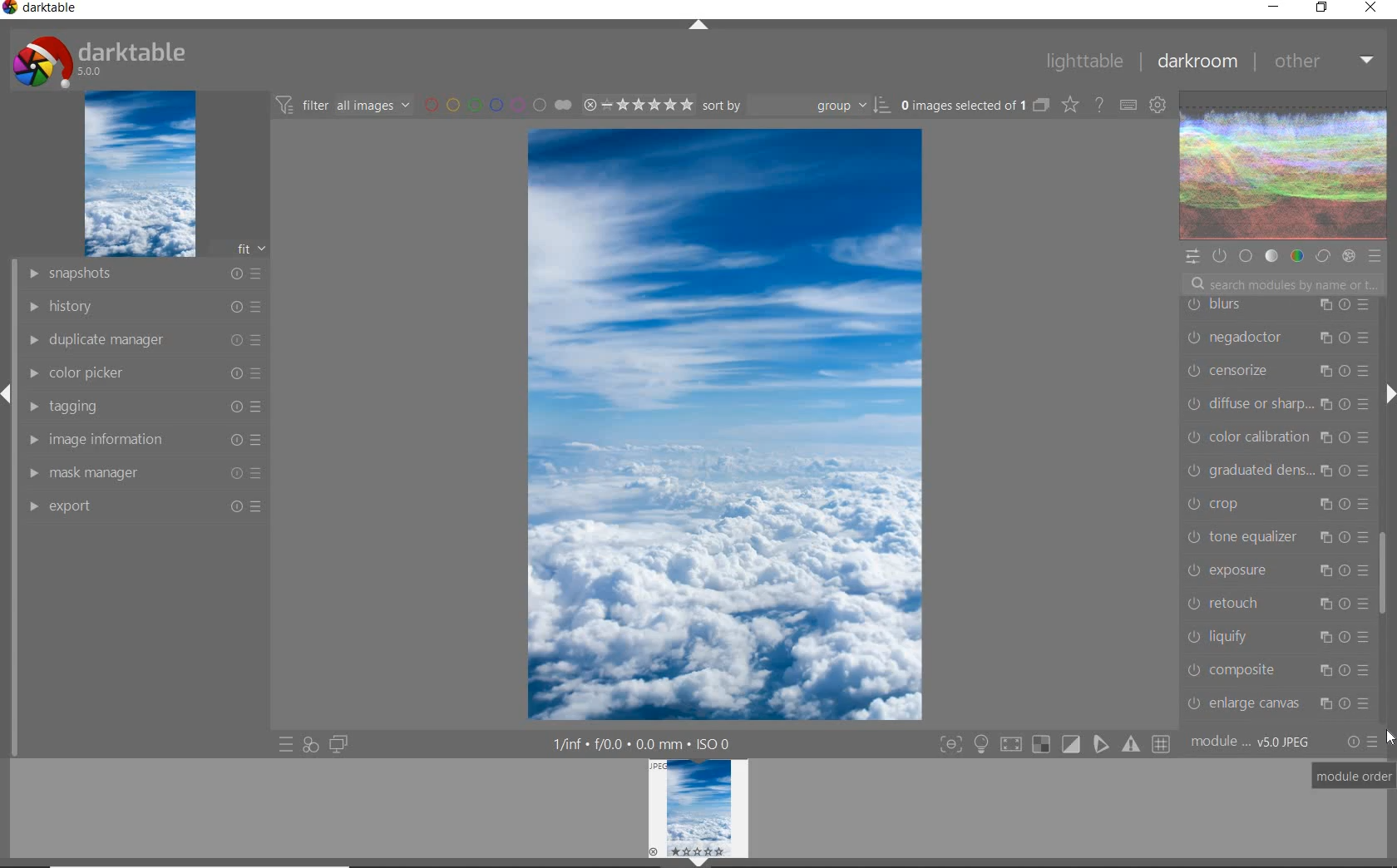 This screenshot has height=868, width=1397. Describe the element at coordinates (285, 745) in the screenshot. I see `QUICK ACCESS TO PRESET` at that location.